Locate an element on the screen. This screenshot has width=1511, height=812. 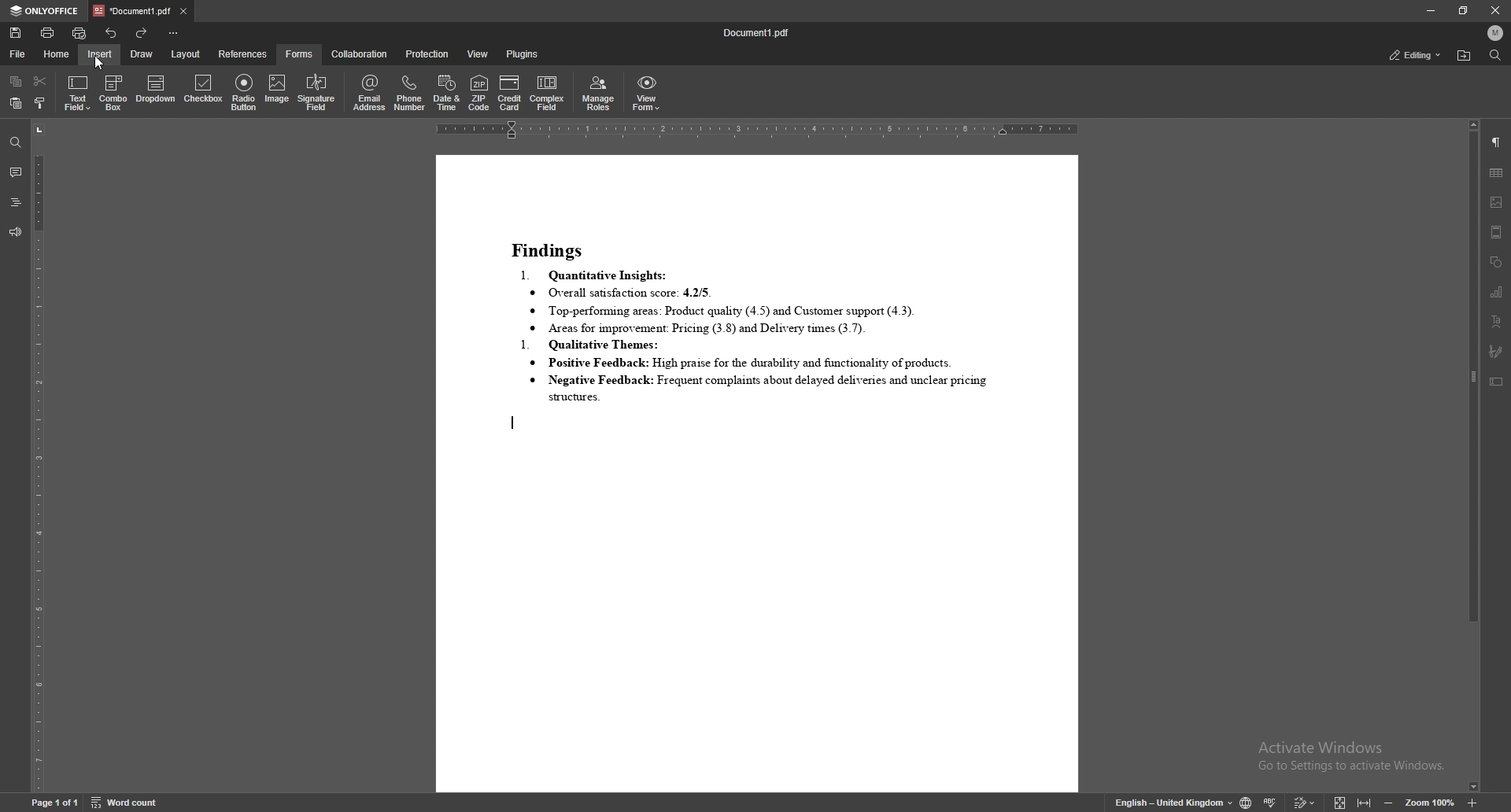
spell check is located at coordinates (1271, 803).